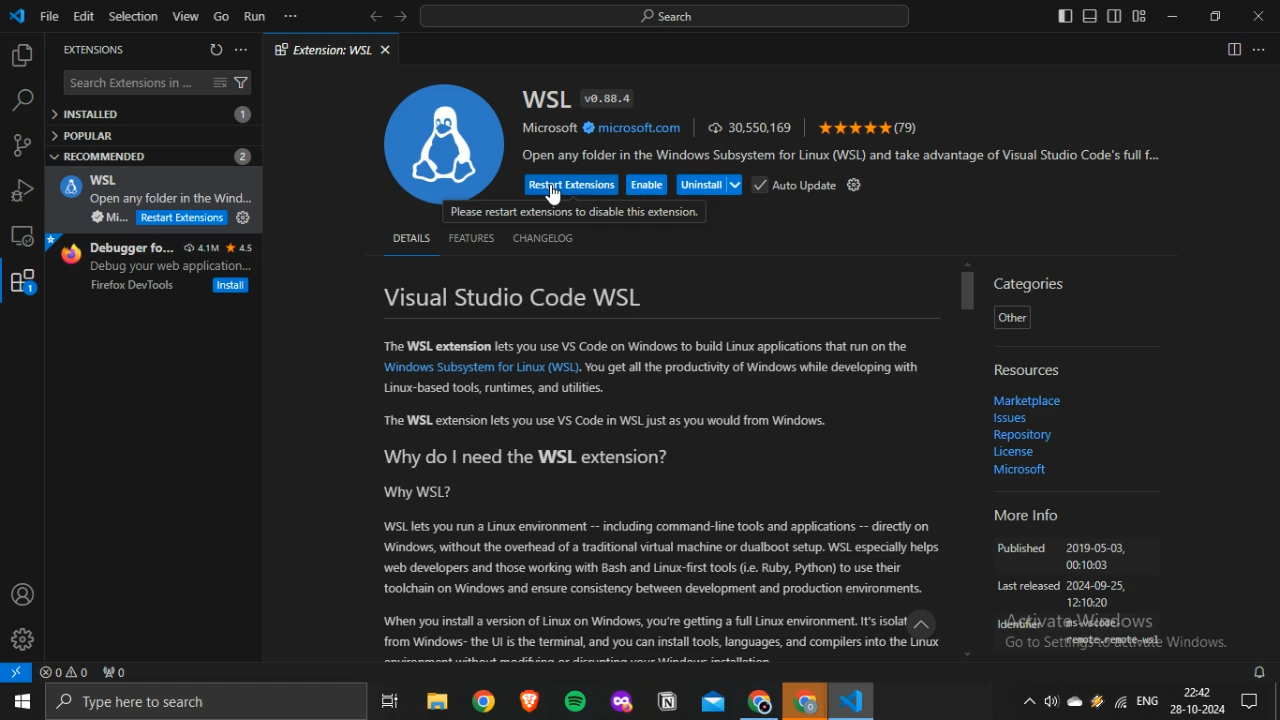  Describe the element at coordinates (1096, 549) in the screenshot. I see `2019-05-03` at that location.